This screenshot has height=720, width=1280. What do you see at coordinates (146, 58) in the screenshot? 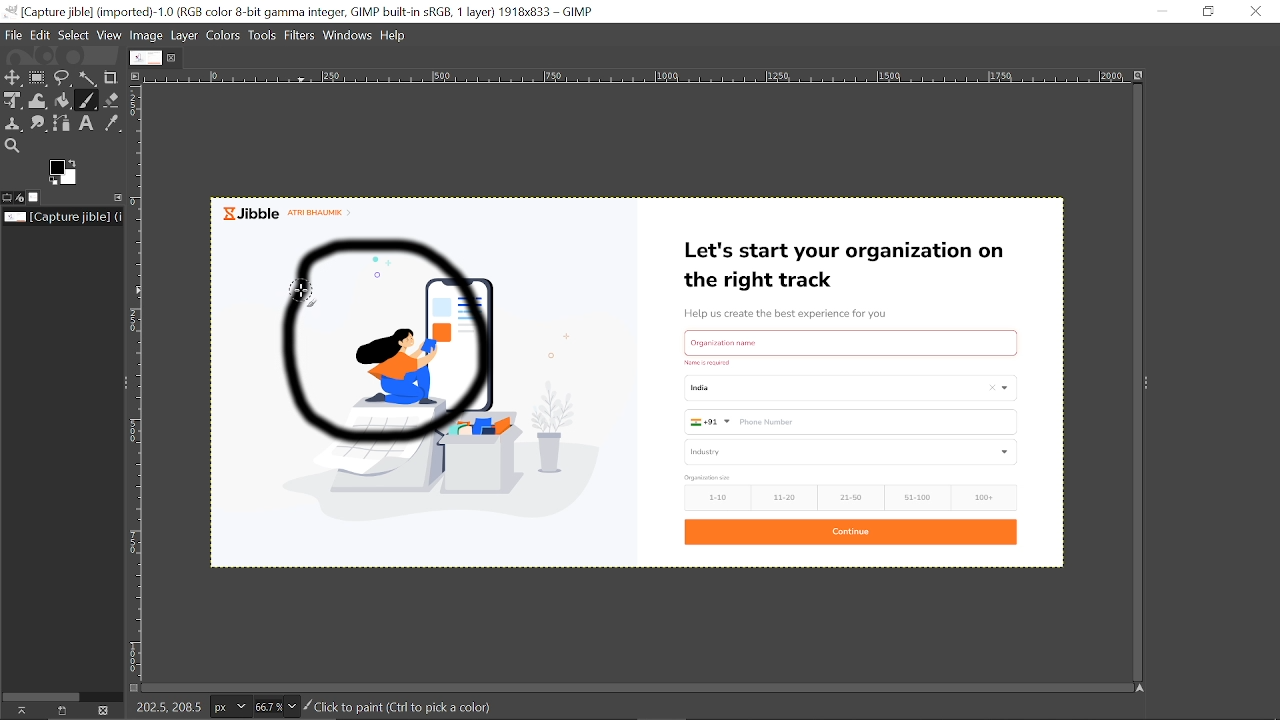
I see `Current image tab` at bounding box center [146, 58].